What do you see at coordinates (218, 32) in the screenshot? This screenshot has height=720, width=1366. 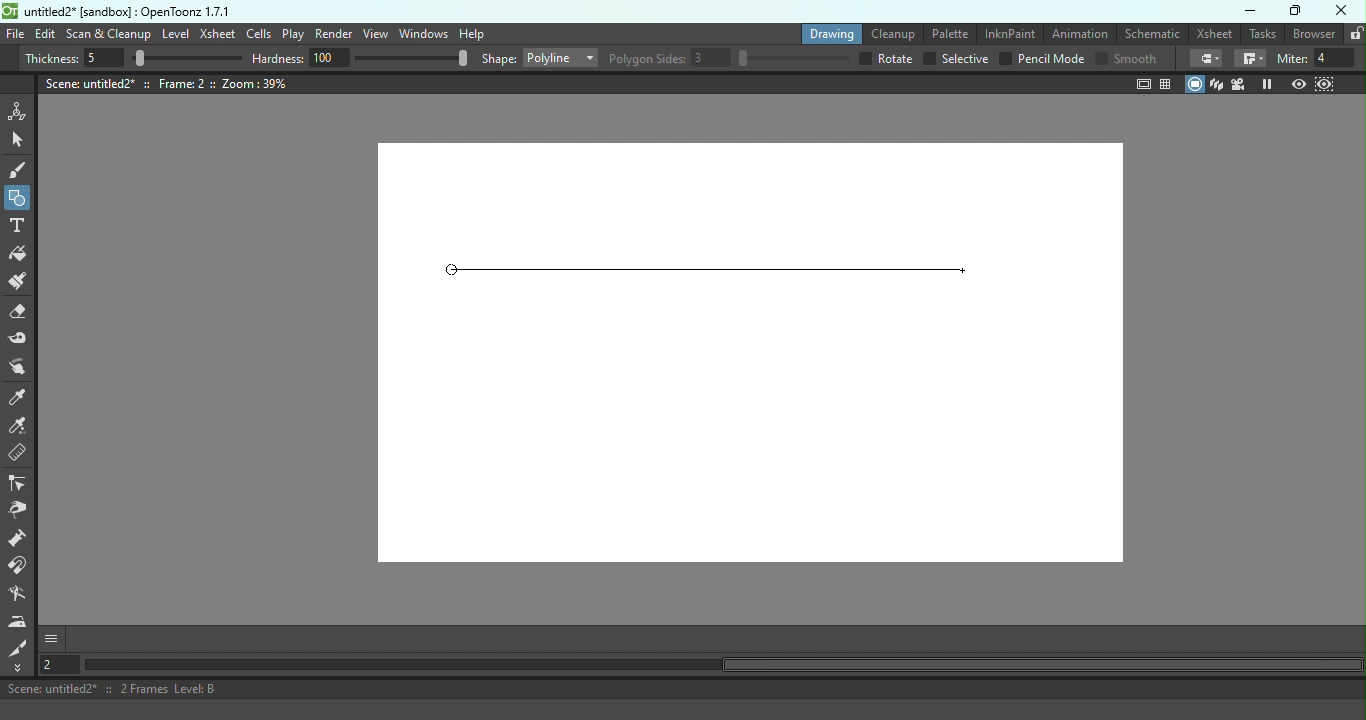 I see `Xsheet` at bounding box center [218, 32].